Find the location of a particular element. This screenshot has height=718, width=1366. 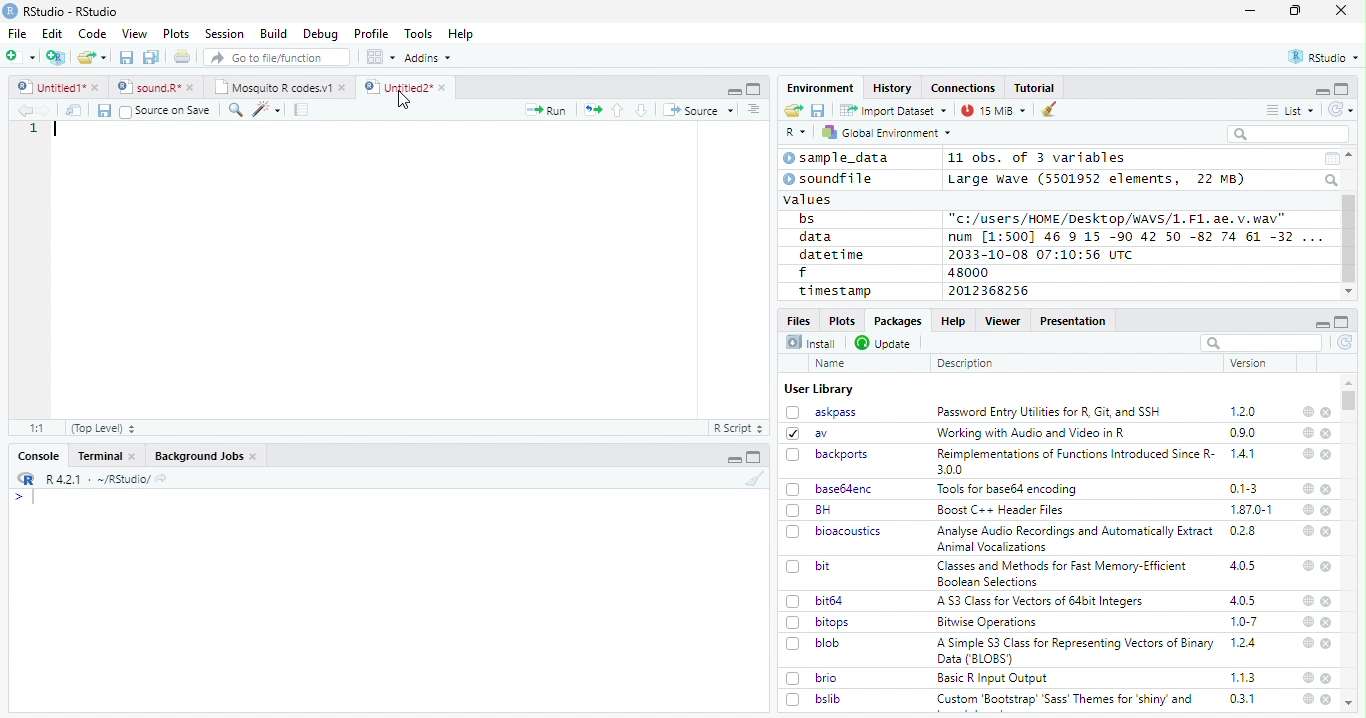

A S3 Class for Vectors of 64bit Integers is located at coordinates (1042, 602).